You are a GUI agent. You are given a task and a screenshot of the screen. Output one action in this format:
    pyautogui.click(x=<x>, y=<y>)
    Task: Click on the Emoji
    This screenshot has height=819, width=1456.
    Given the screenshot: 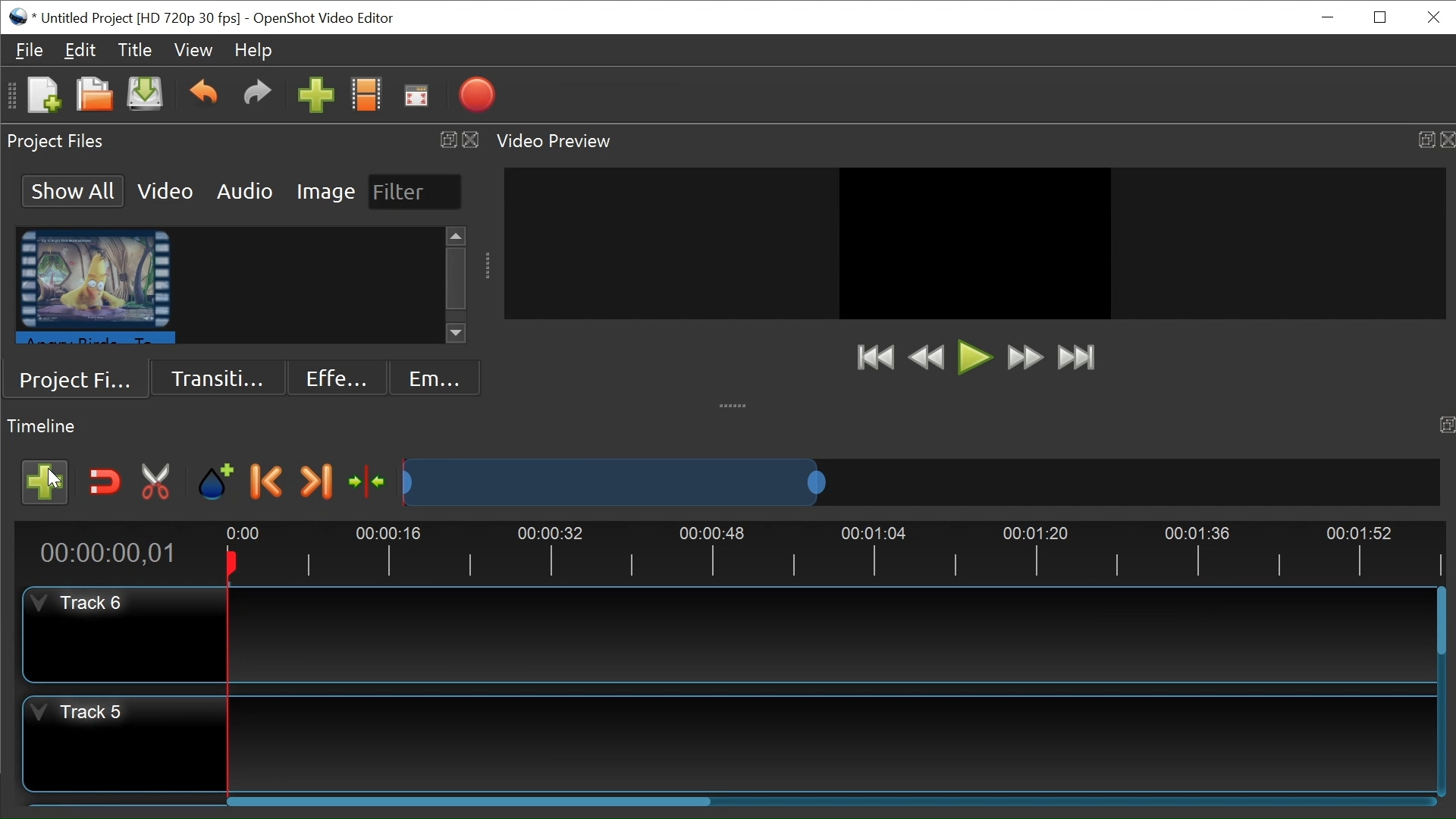 What is the action you would take?
    pyautogui.click(x=436, y=377)
    